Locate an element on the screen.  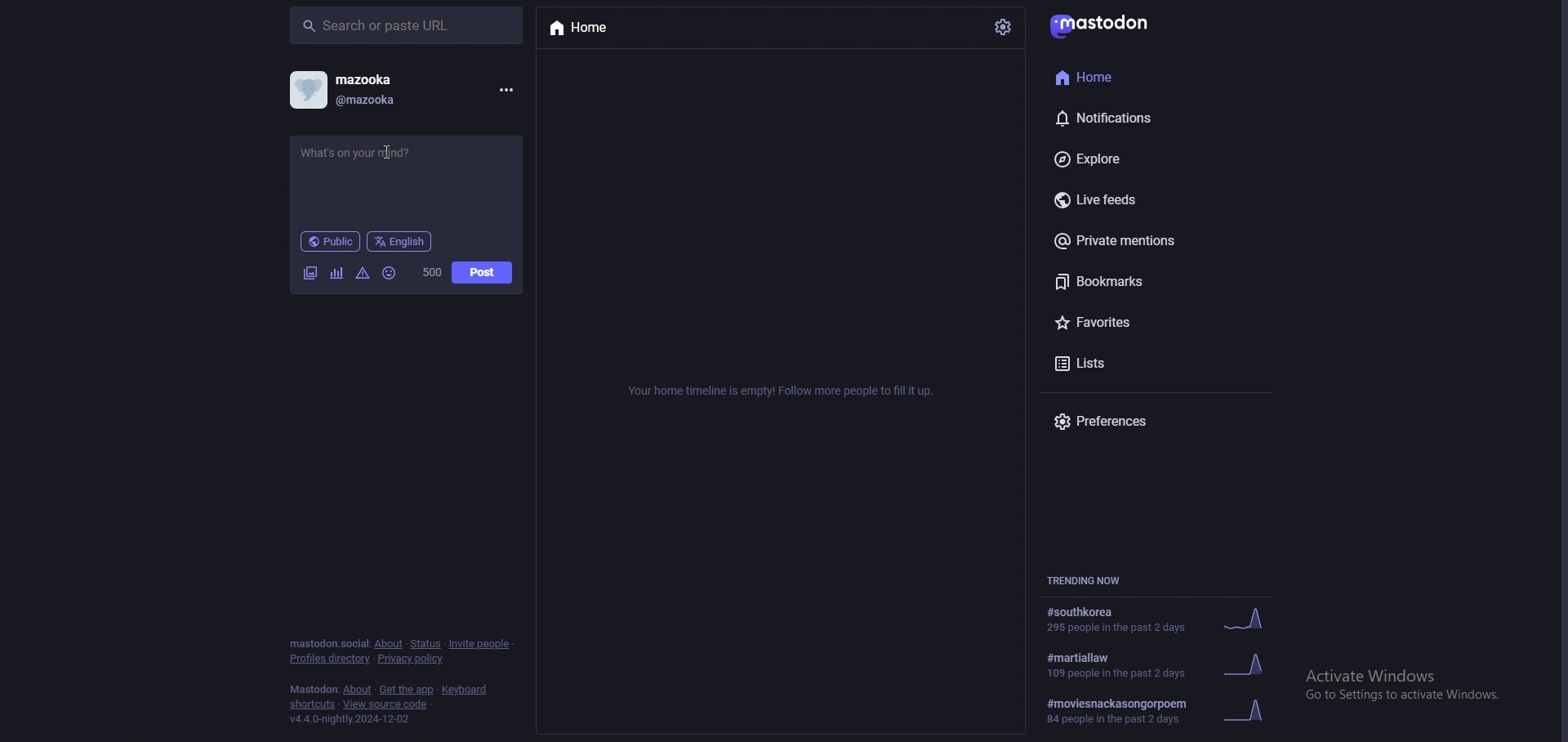
private mentions is located at coordinates (1141, 240).